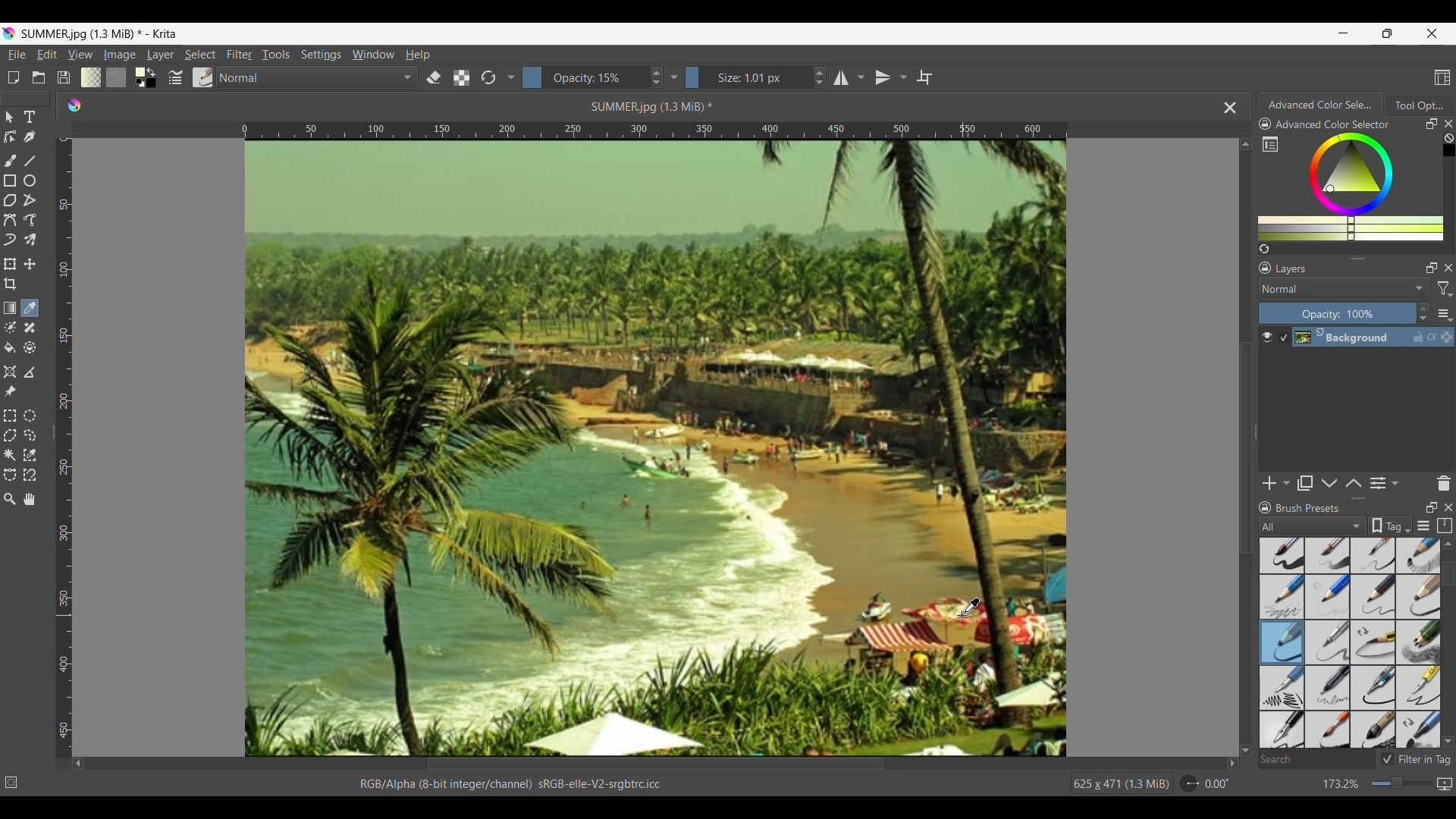 The width and height of the screenshot is (1456, 819). I want to click on Enclose and fill tool, so click(30, 348).